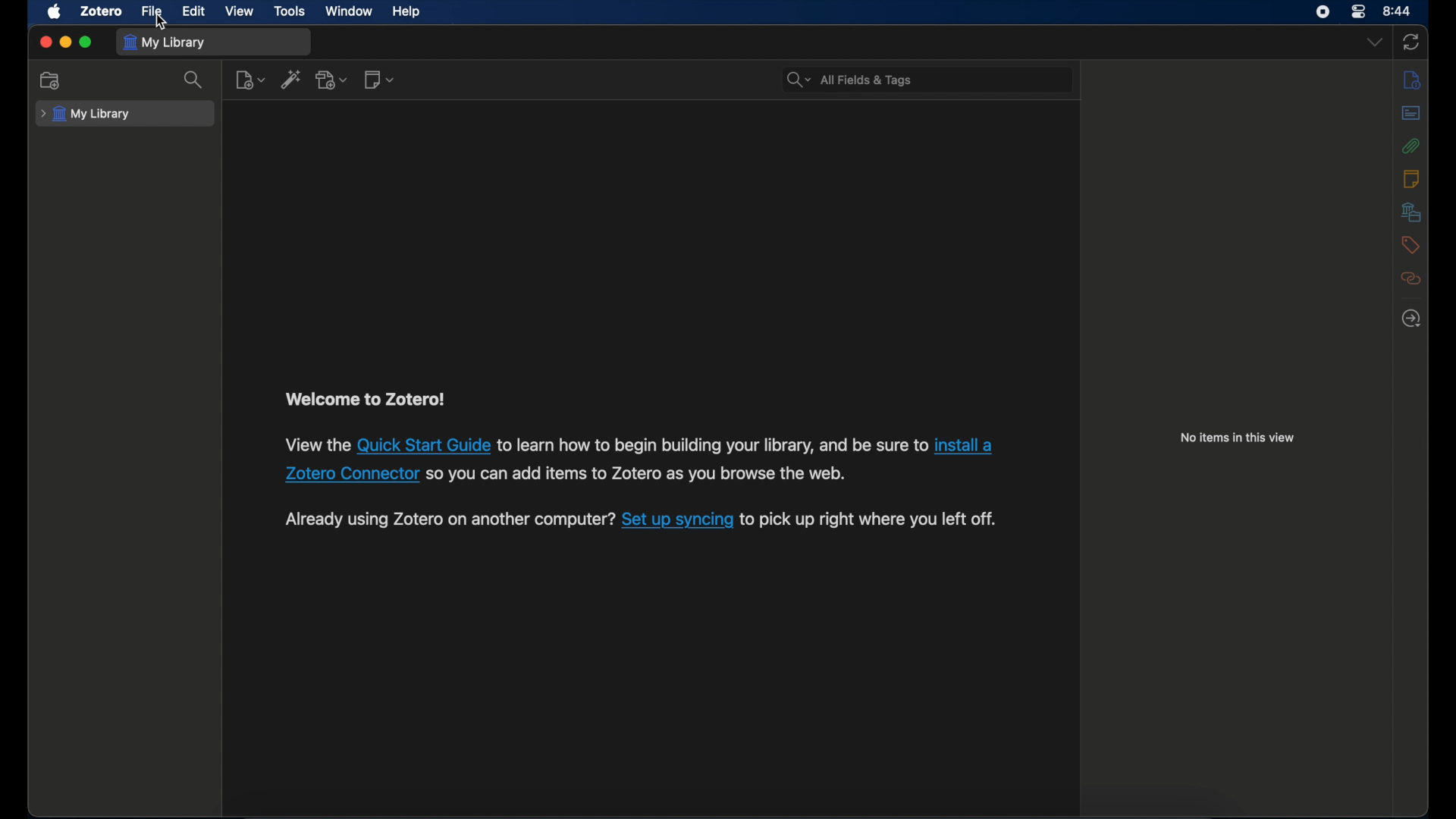 The image size is (1456, 819). Describe the element at coordinates (1410, 319) in the screenshot. I see `locate` at that location.